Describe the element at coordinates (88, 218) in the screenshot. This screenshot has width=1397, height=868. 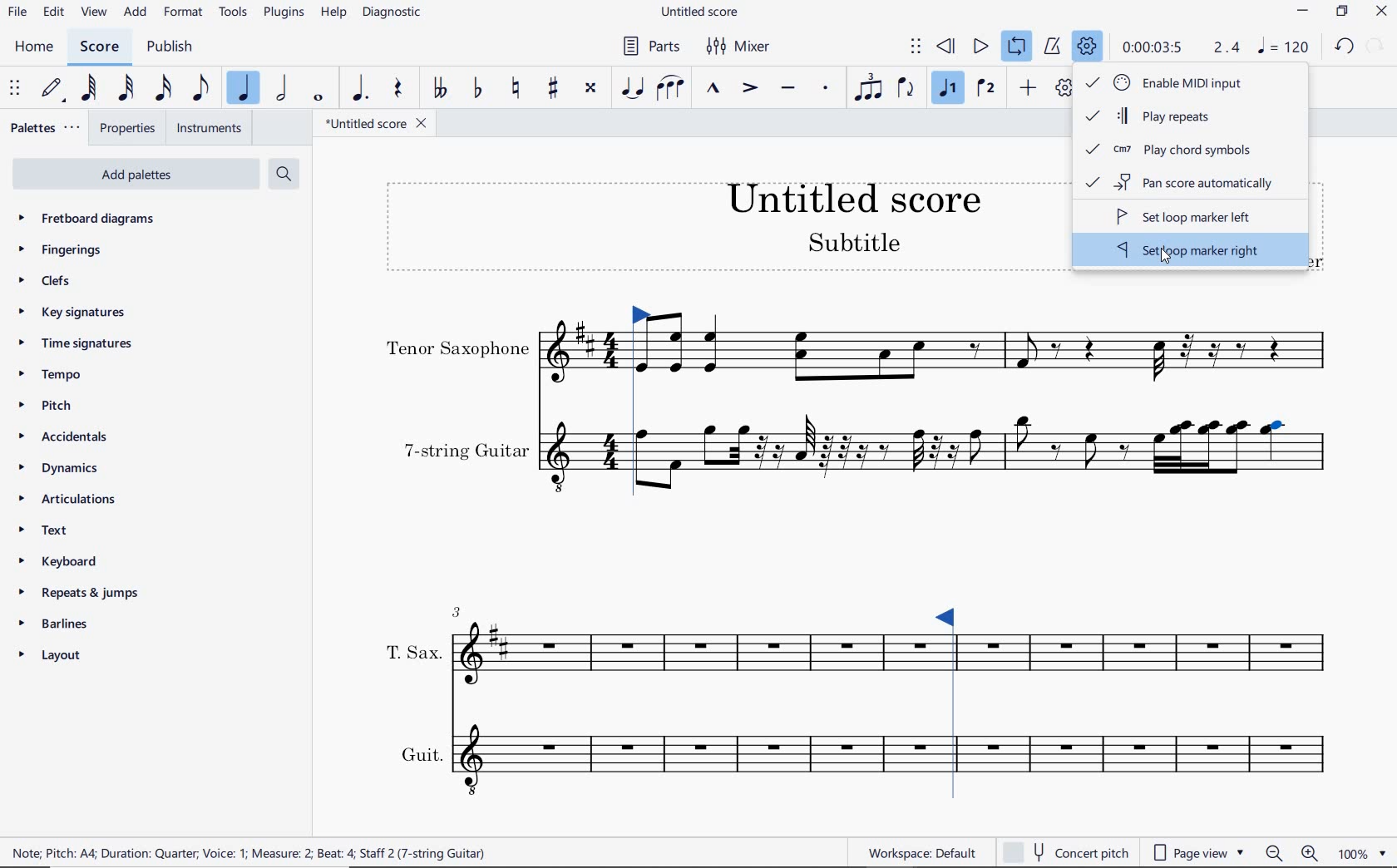
I see `FRETBOARD DIAGRAMS` at that location.